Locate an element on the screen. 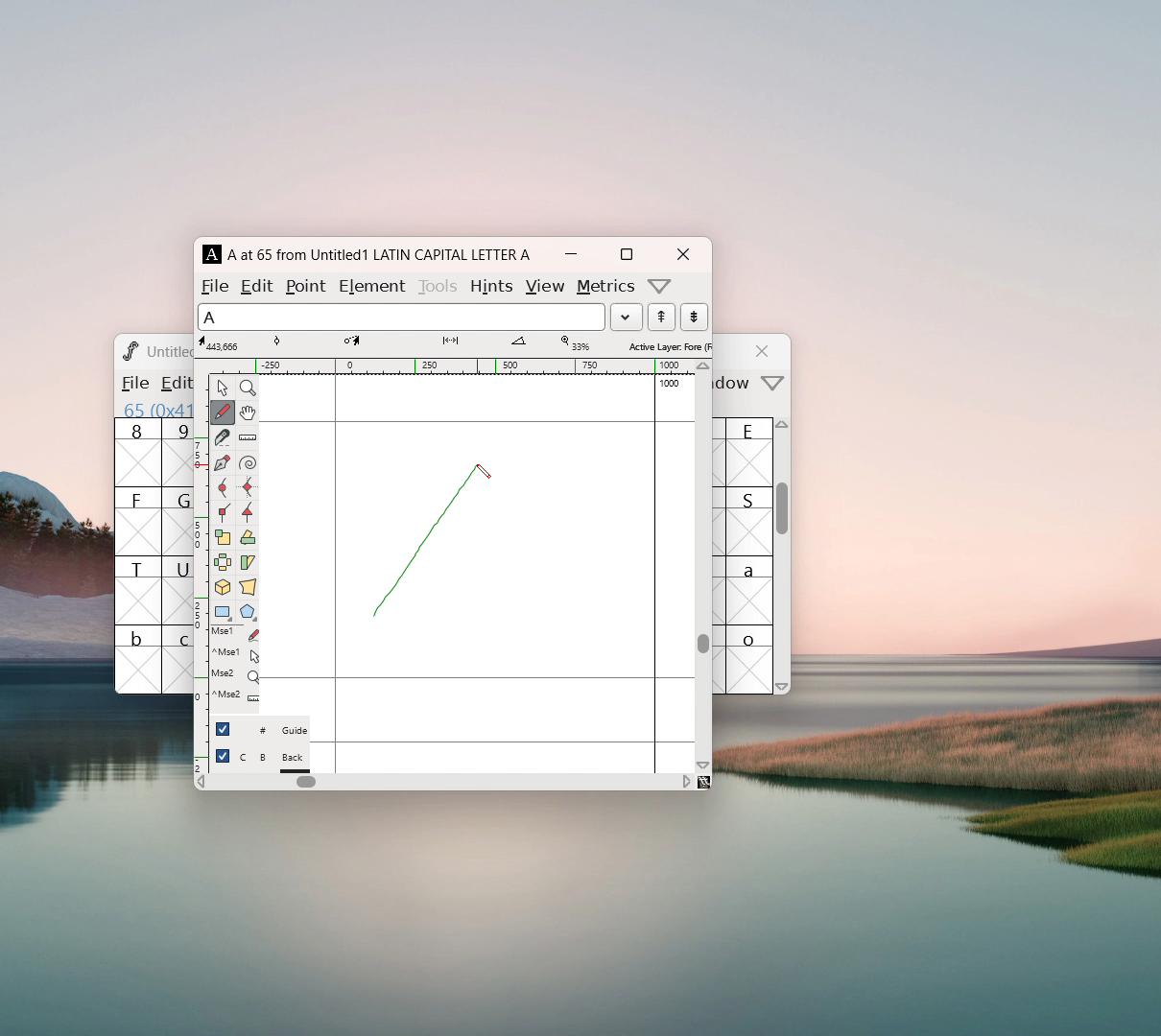 The height and width of the screenshot is (1036, 1161). more options is located at coordinates (660, 286).